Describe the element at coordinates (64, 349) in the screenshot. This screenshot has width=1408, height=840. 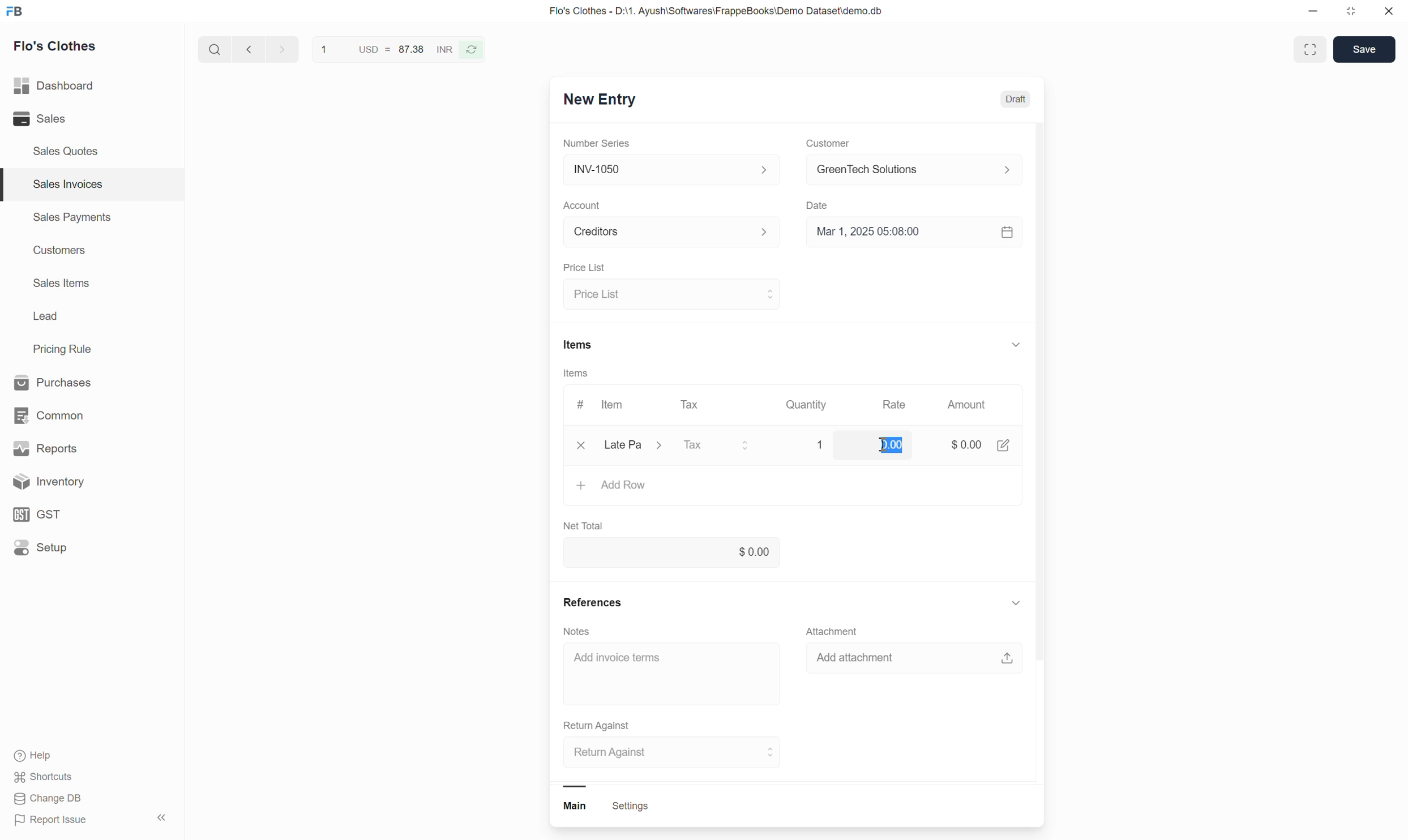
I see `Pricing Rule` at that location.